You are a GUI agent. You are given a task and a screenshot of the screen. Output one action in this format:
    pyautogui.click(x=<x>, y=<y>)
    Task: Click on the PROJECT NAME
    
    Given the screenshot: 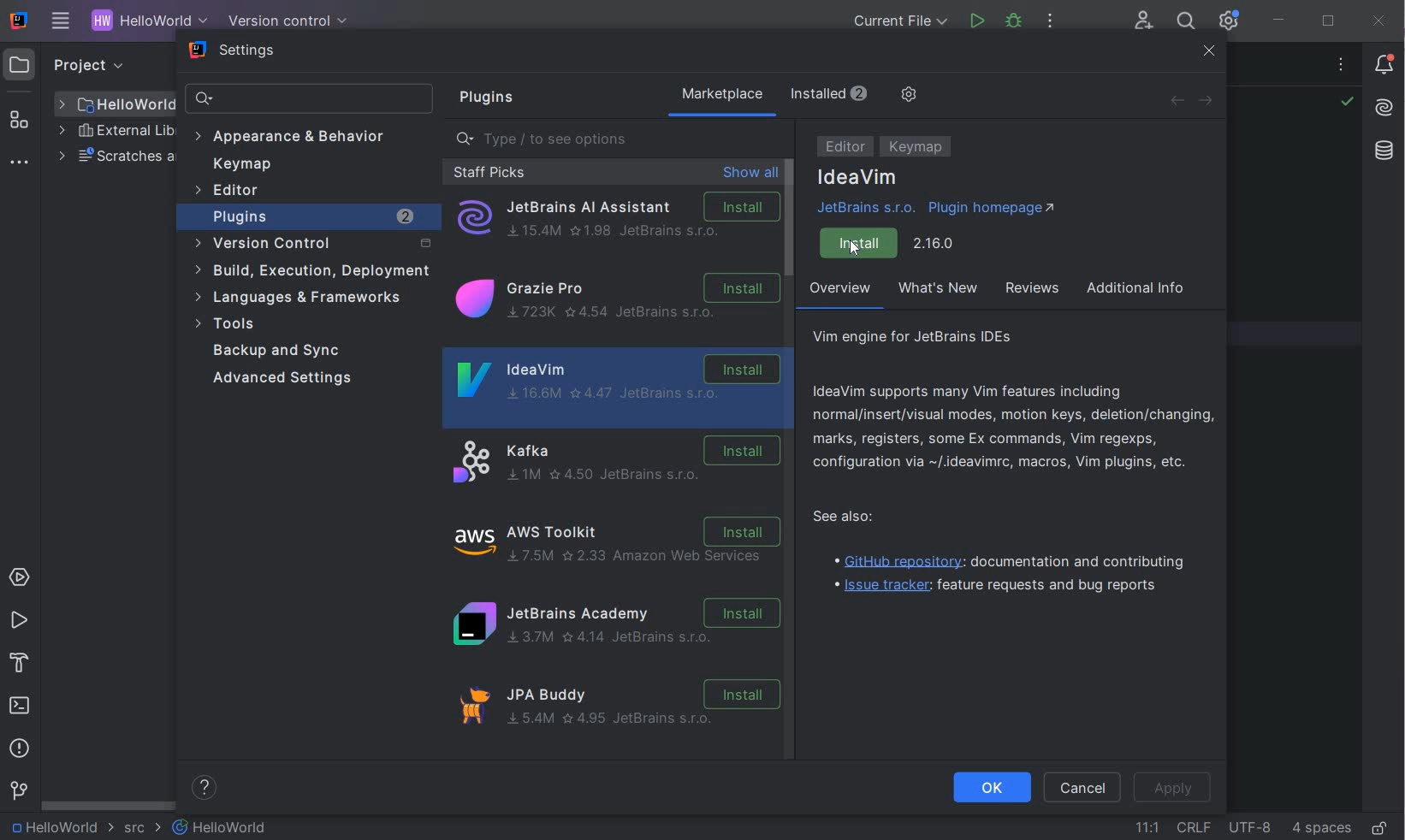 What is the action you would take?
    pyautogui.click(x=145, y=22)
    